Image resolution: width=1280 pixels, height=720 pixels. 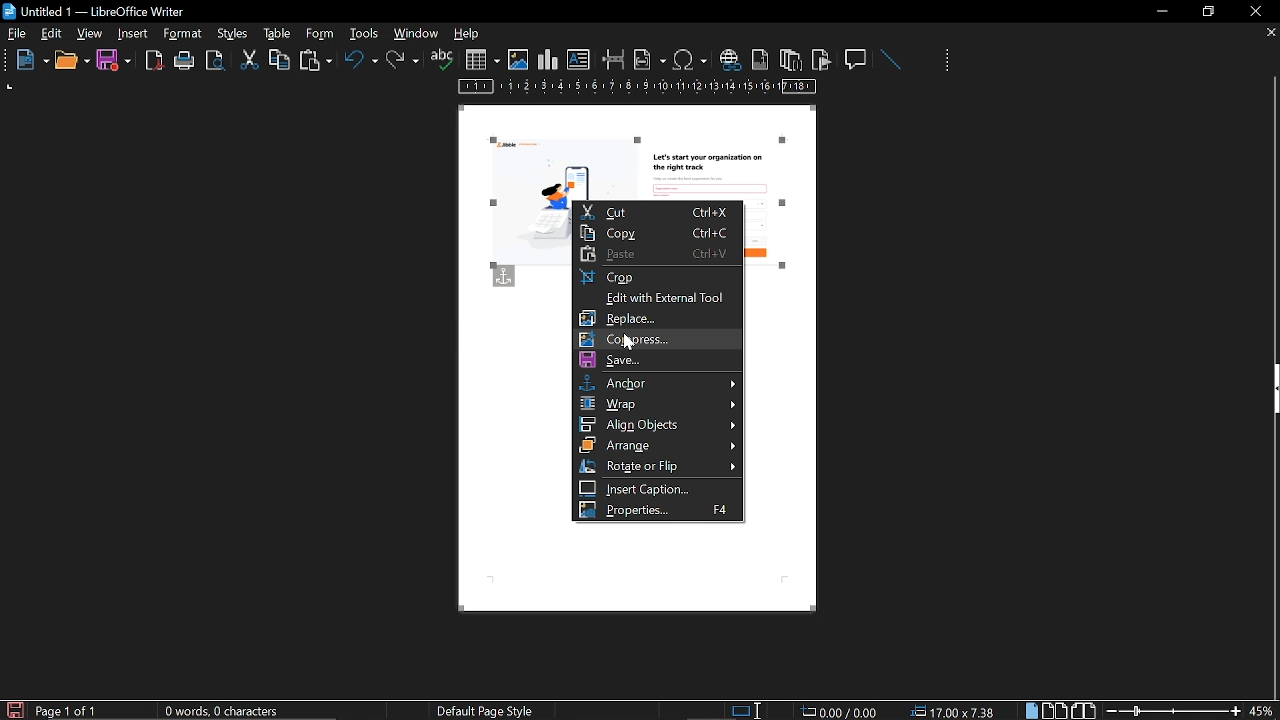 What do you see at coordinates (1211, 11) in the screenshot?
I see `restore down` at bounding box center [1211, 11].